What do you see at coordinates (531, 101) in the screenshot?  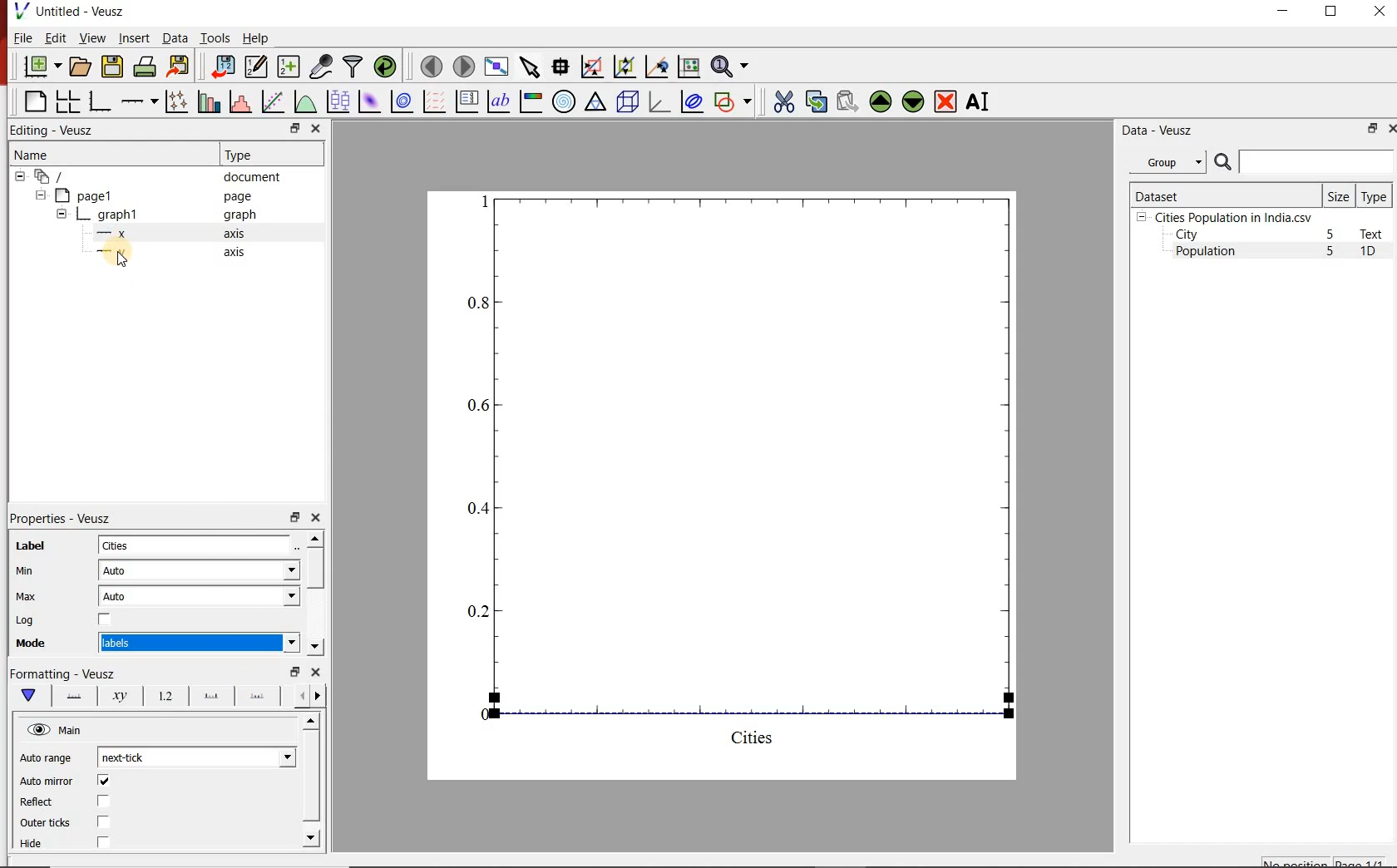 I see `image color bar` at bounding box center [531, 101].